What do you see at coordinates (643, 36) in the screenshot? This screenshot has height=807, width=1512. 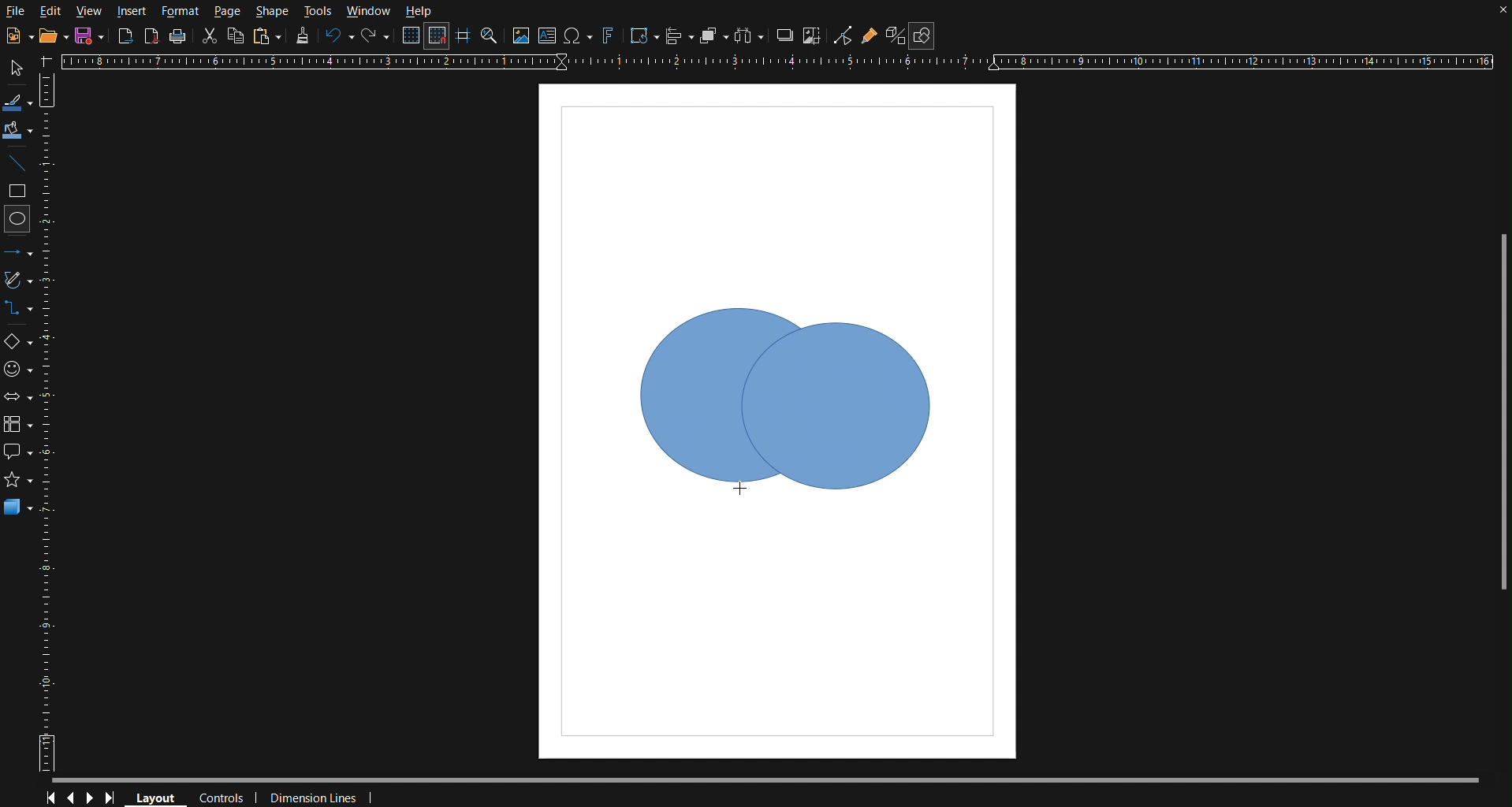 I see `Transformation` at bounding box center [643, 36].